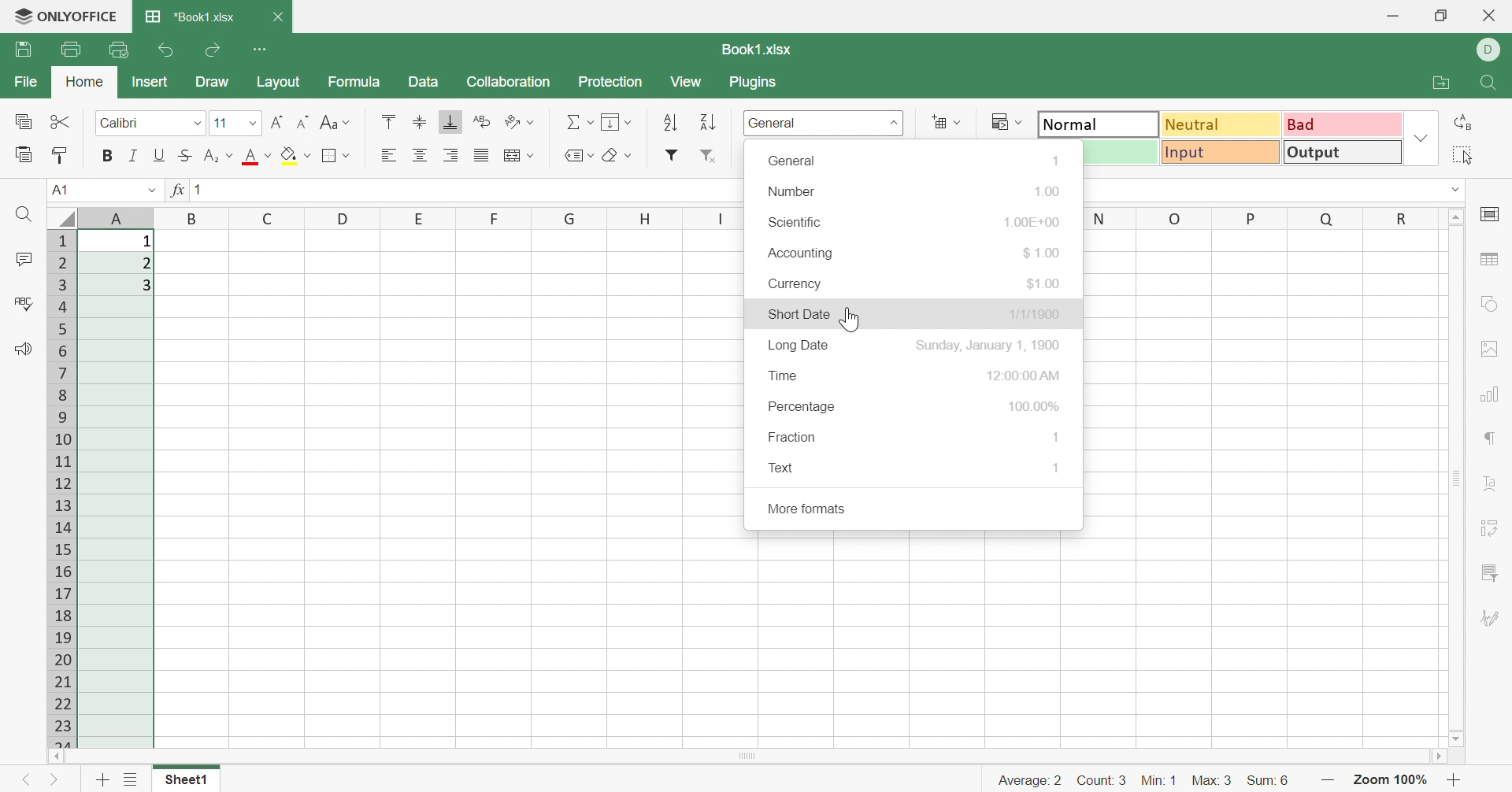  I want to click on Select all, so click(1463, 154).